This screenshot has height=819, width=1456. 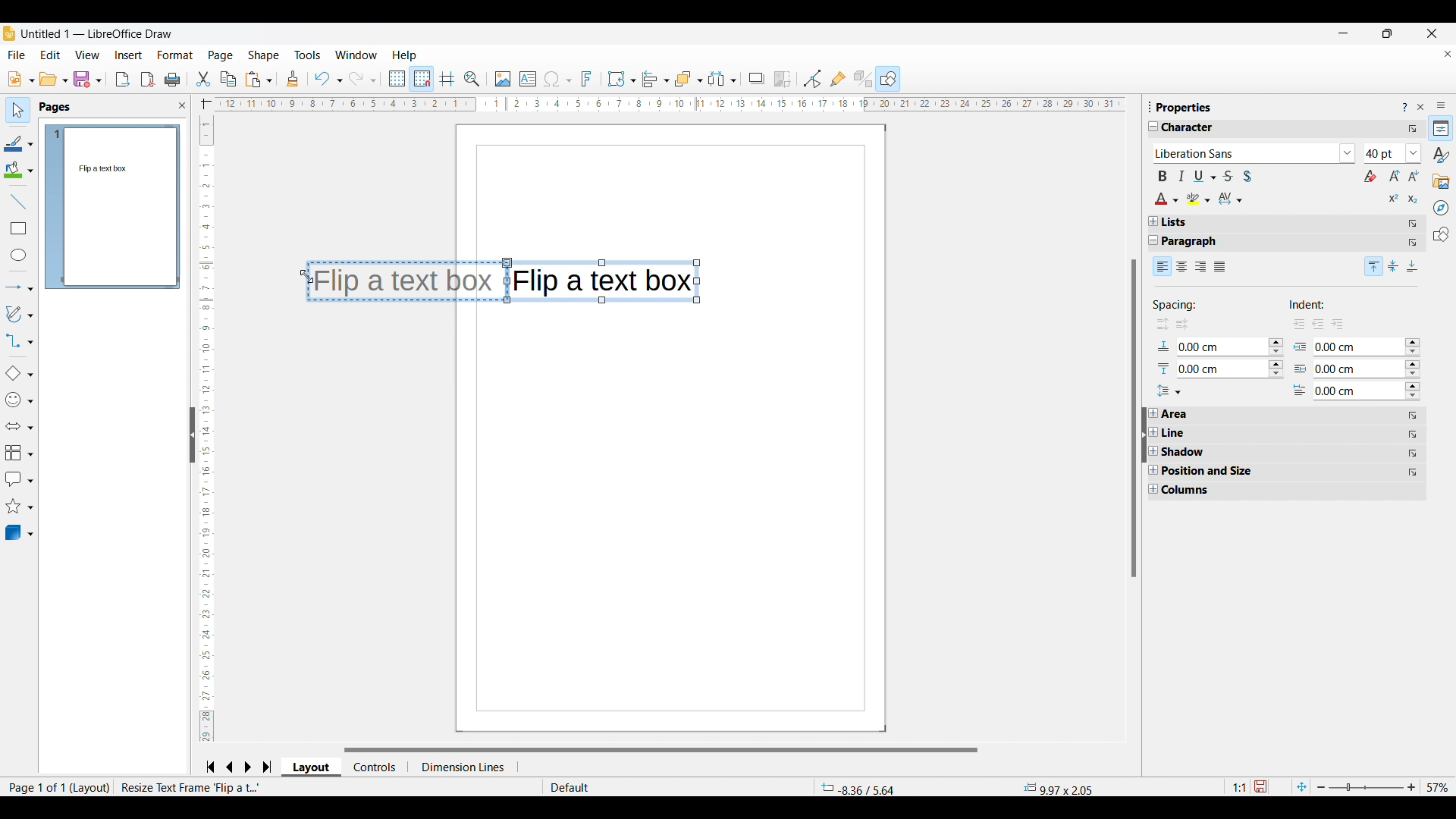 I want to click on Set line spacing options, so click(x=1169, y=391).